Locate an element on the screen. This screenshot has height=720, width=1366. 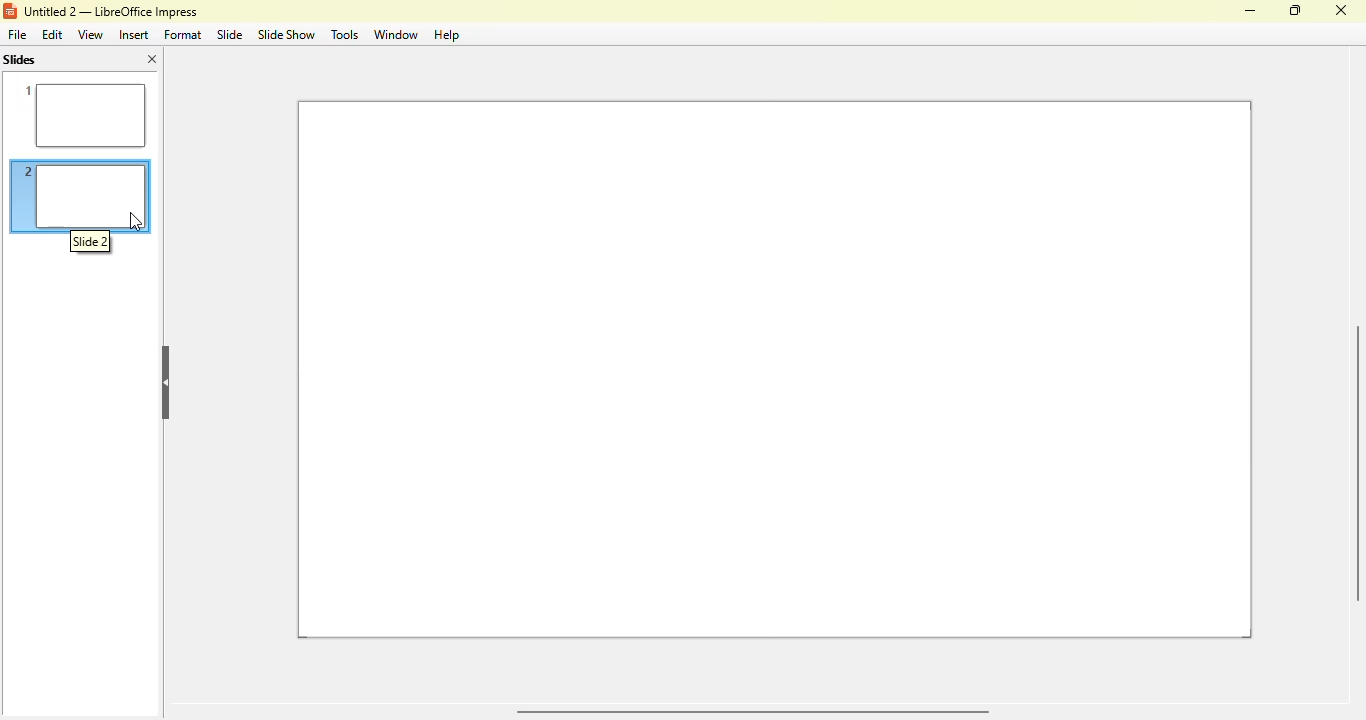
close is located at coordinates (1340, 10).